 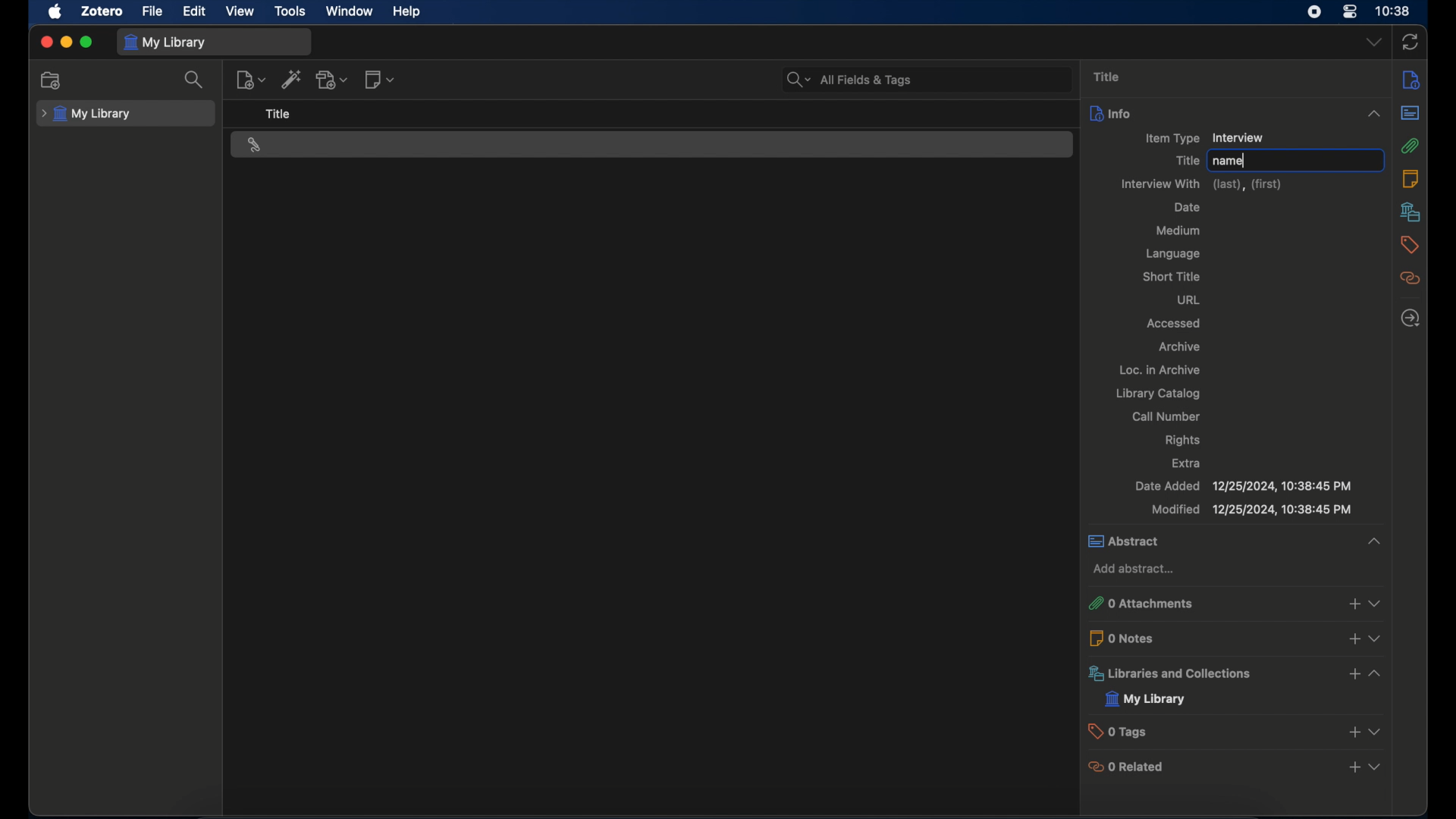 What do you see at coordinates (1173, 675) in the screenshot?
I see `libraries and collections` at bounding box center [1173, 675].